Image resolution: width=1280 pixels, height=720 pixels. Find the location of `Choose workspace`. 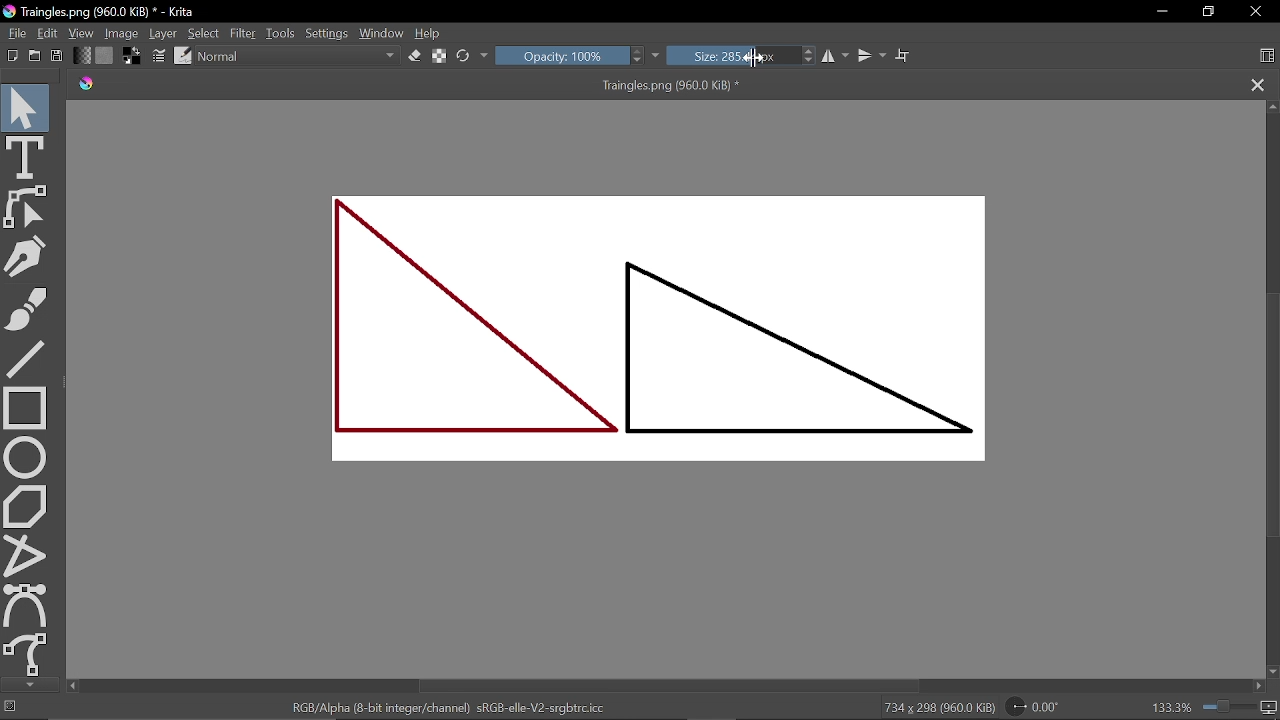

Choose workspace is located at coordinates (1262, 56).